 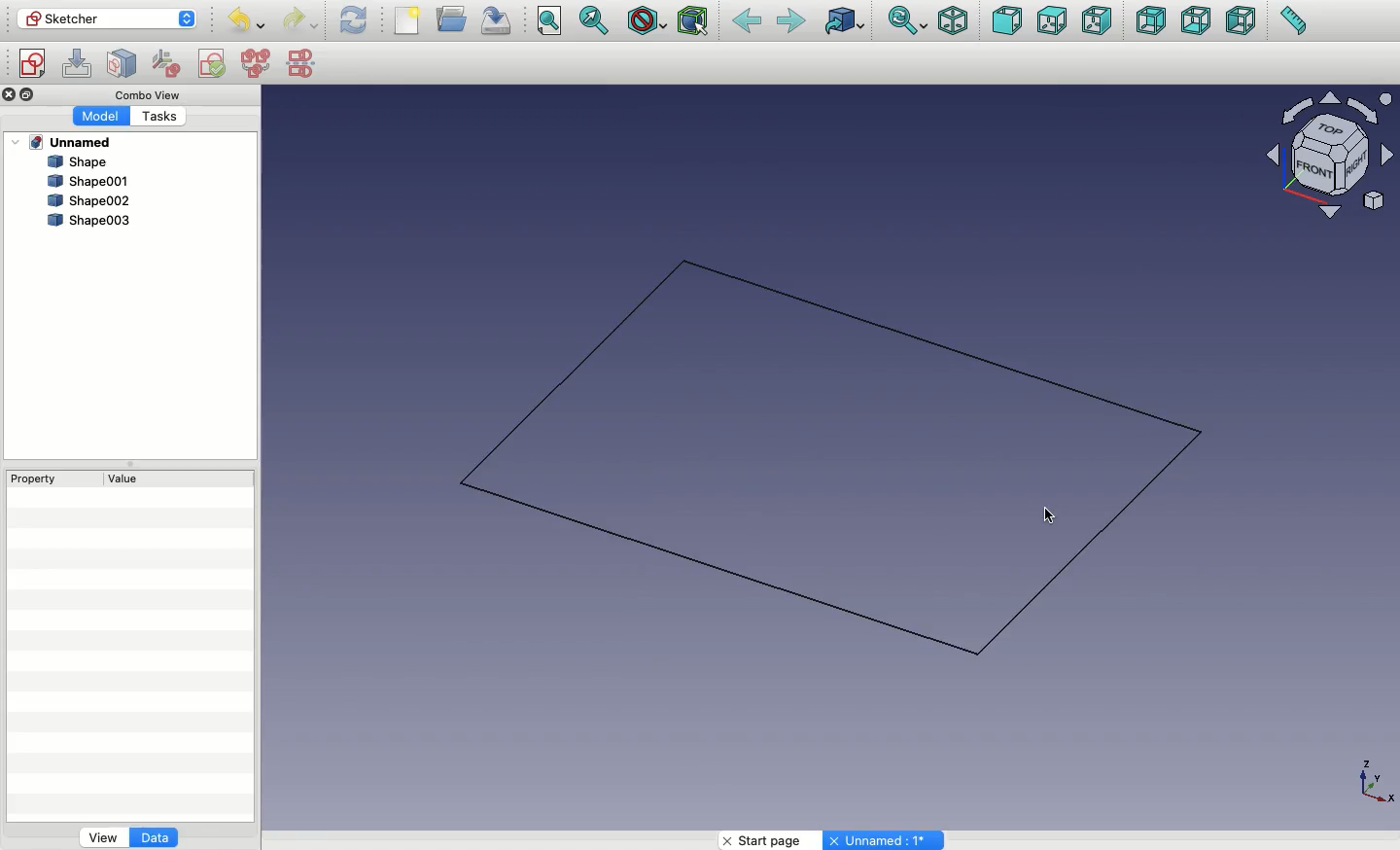 I want to click on Unnamed: 1, so click(x=886, y=840).